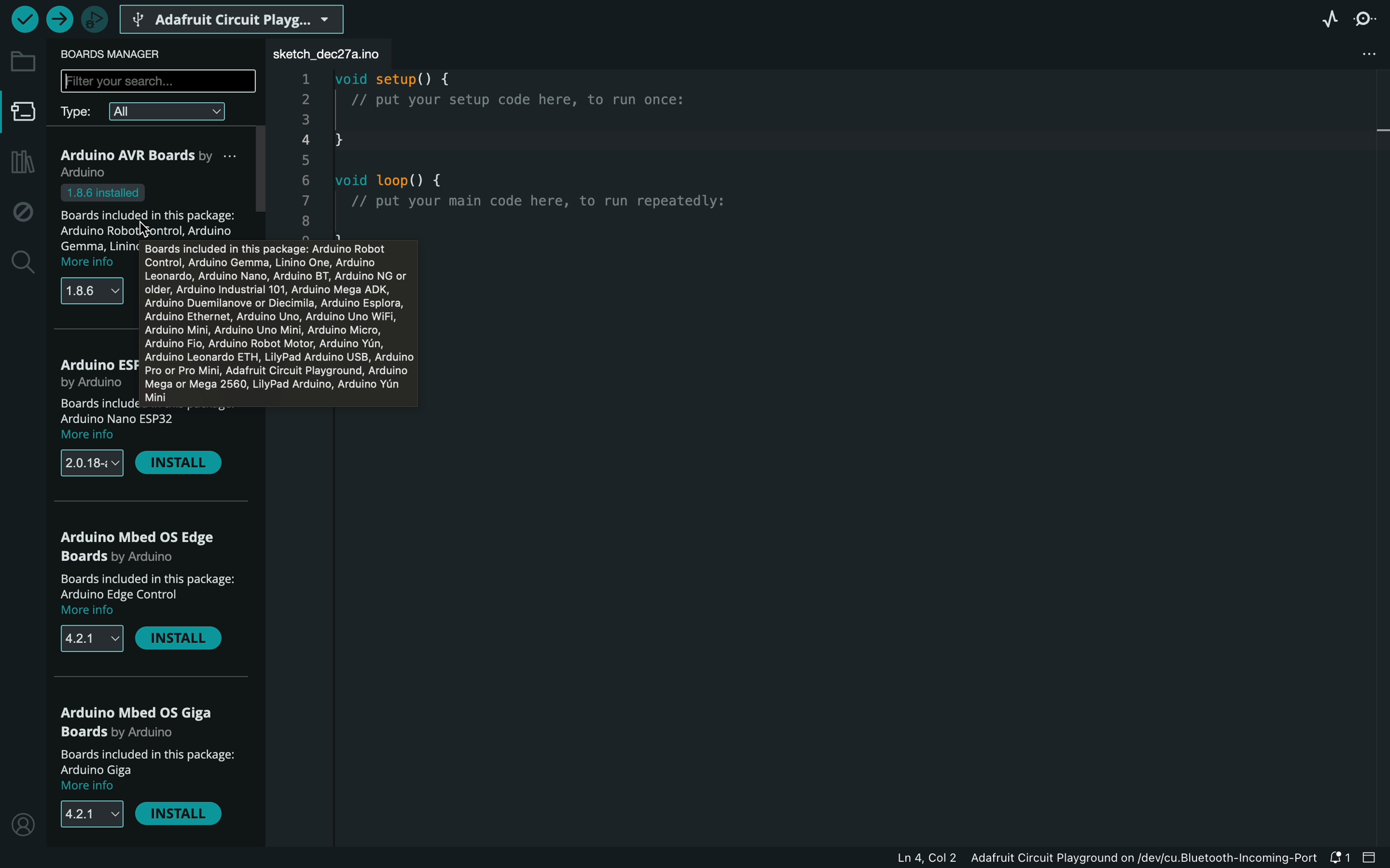 The height and width of the screenshot is (868, 1390). Describe the element at coordinates (90, 787) in the screenshot. I see `more info` at that location.